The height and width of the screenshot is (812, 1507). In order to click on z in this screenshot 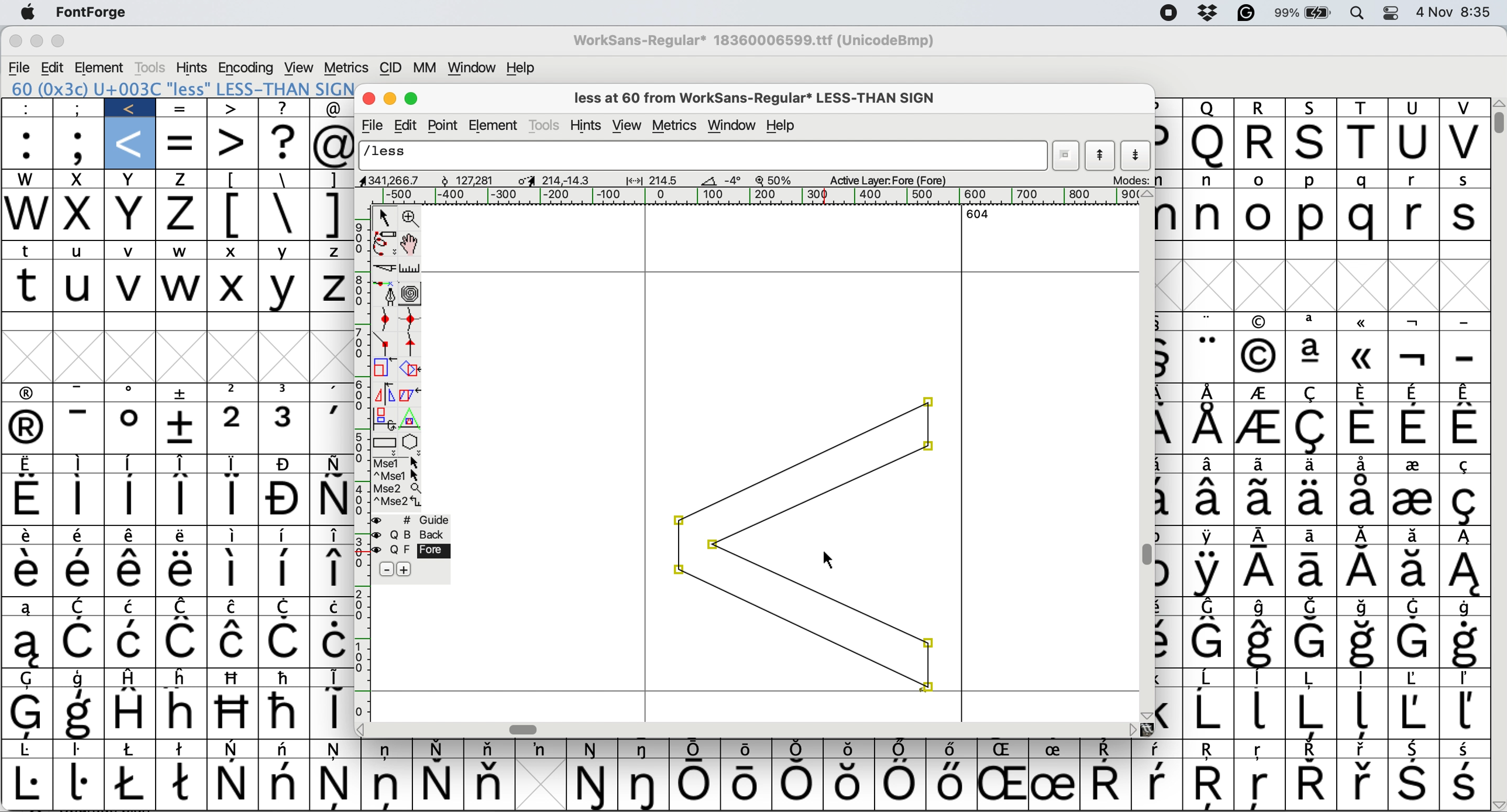, I will do `click(182, 216)`.